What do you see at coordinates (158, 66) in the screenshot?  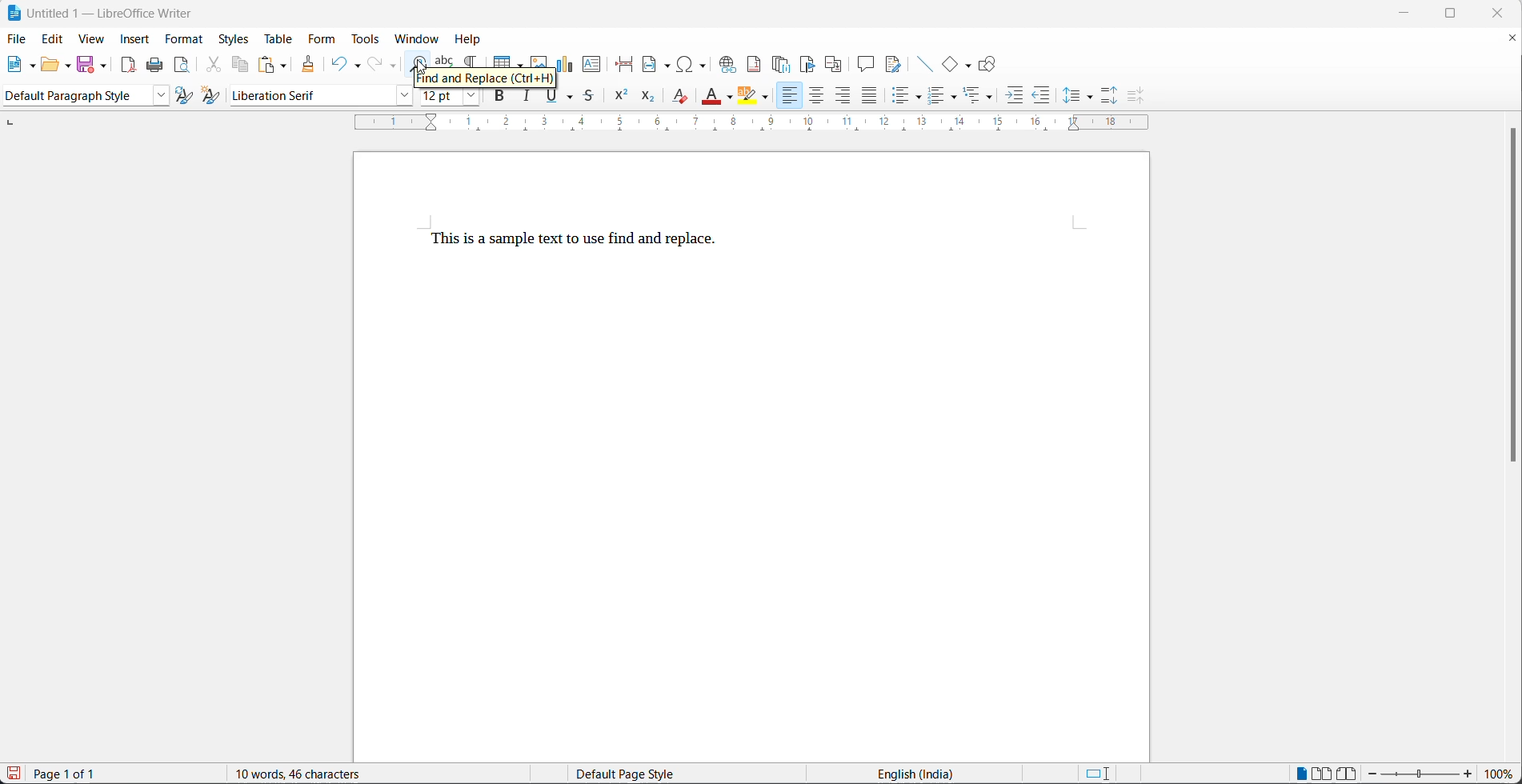 I see `print` at bounding box center [158, 66].